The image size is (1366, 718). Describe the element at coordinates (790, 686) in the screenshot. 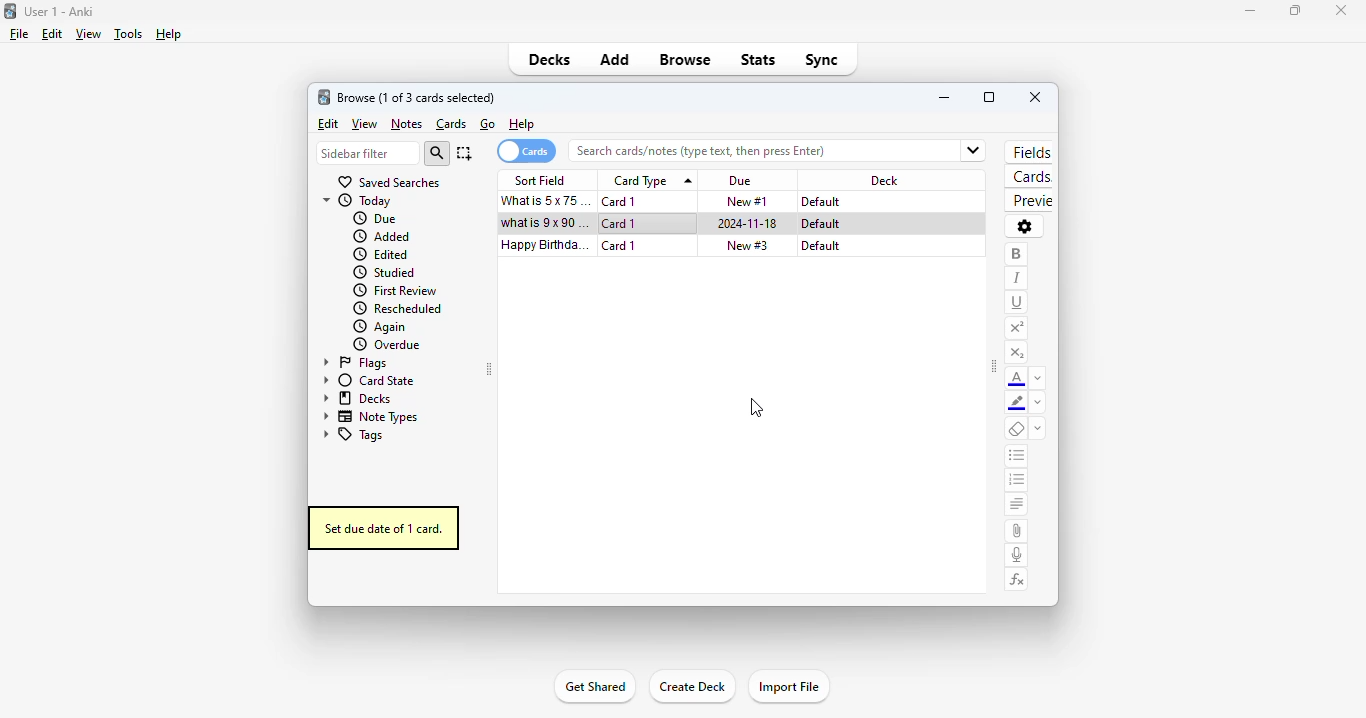

I see `import file` at that location.